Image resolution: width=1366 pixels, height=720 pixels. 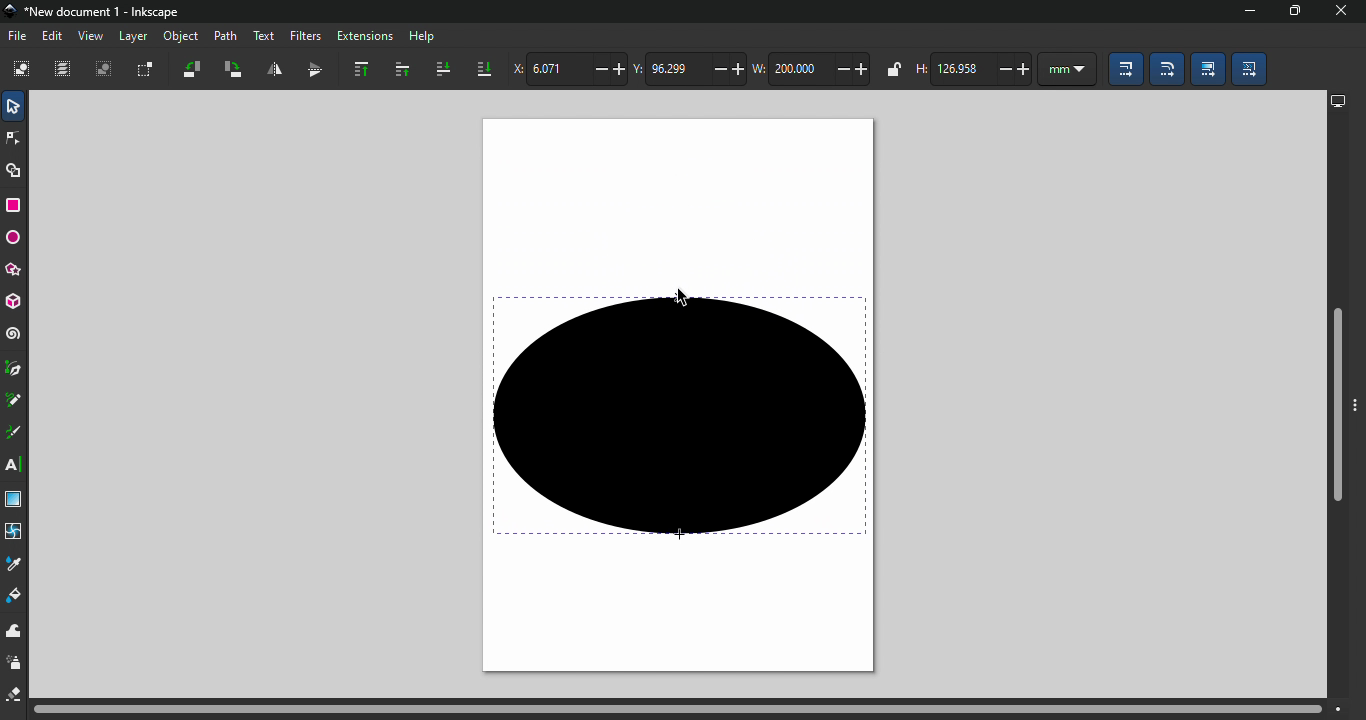 I want to click on Vertical scroll bar, so click(x=1335, y=406).